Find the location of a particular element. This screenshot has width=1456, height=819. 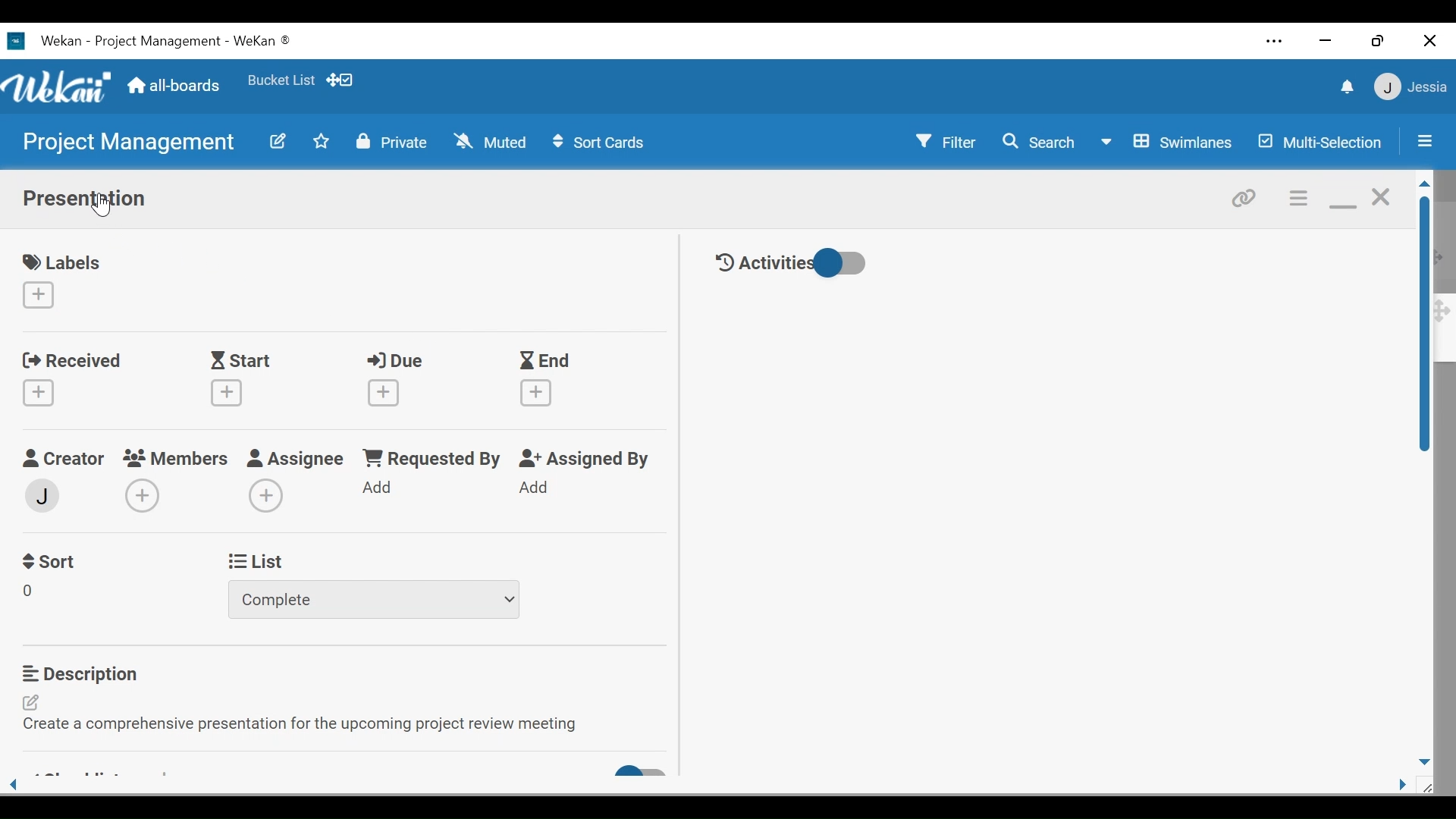

Private is located at coordinates (392, 142).